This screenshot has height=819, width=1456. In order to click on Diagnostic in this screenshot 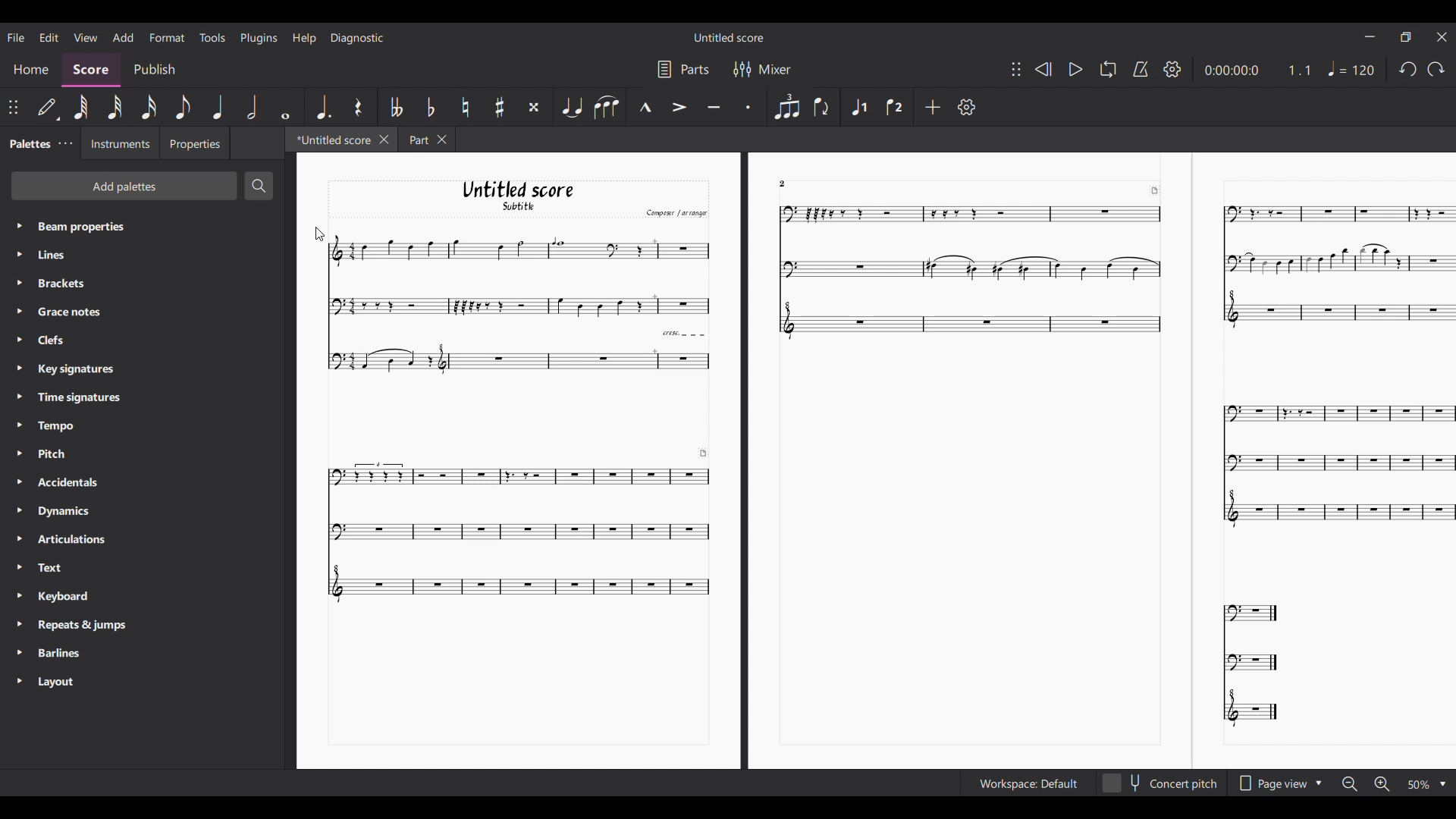, I will do `click(357, 38)`.